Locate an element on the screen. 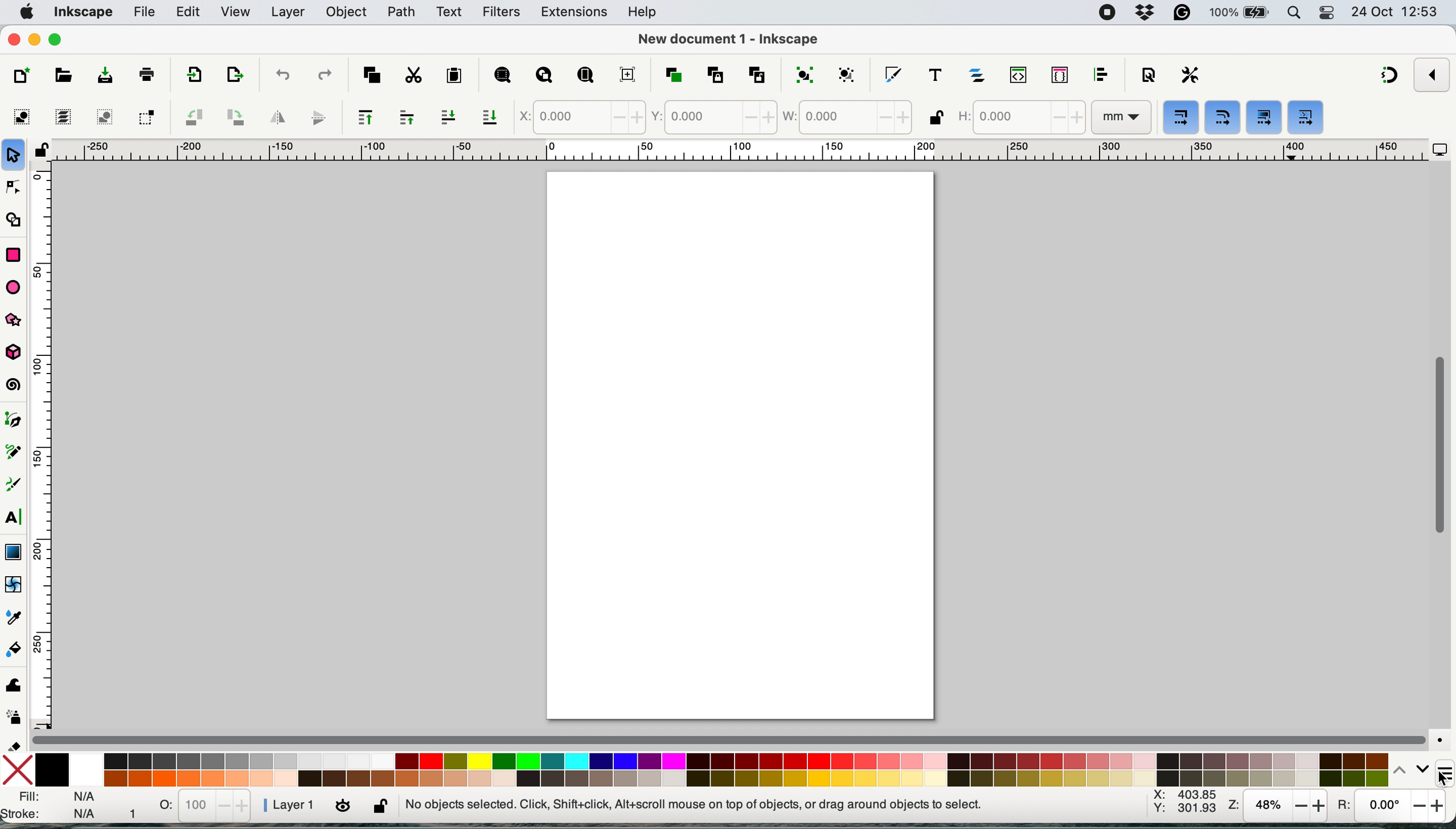 The height and width of the screenshot is (829, 1456). new is located at coordinates (23, 75).